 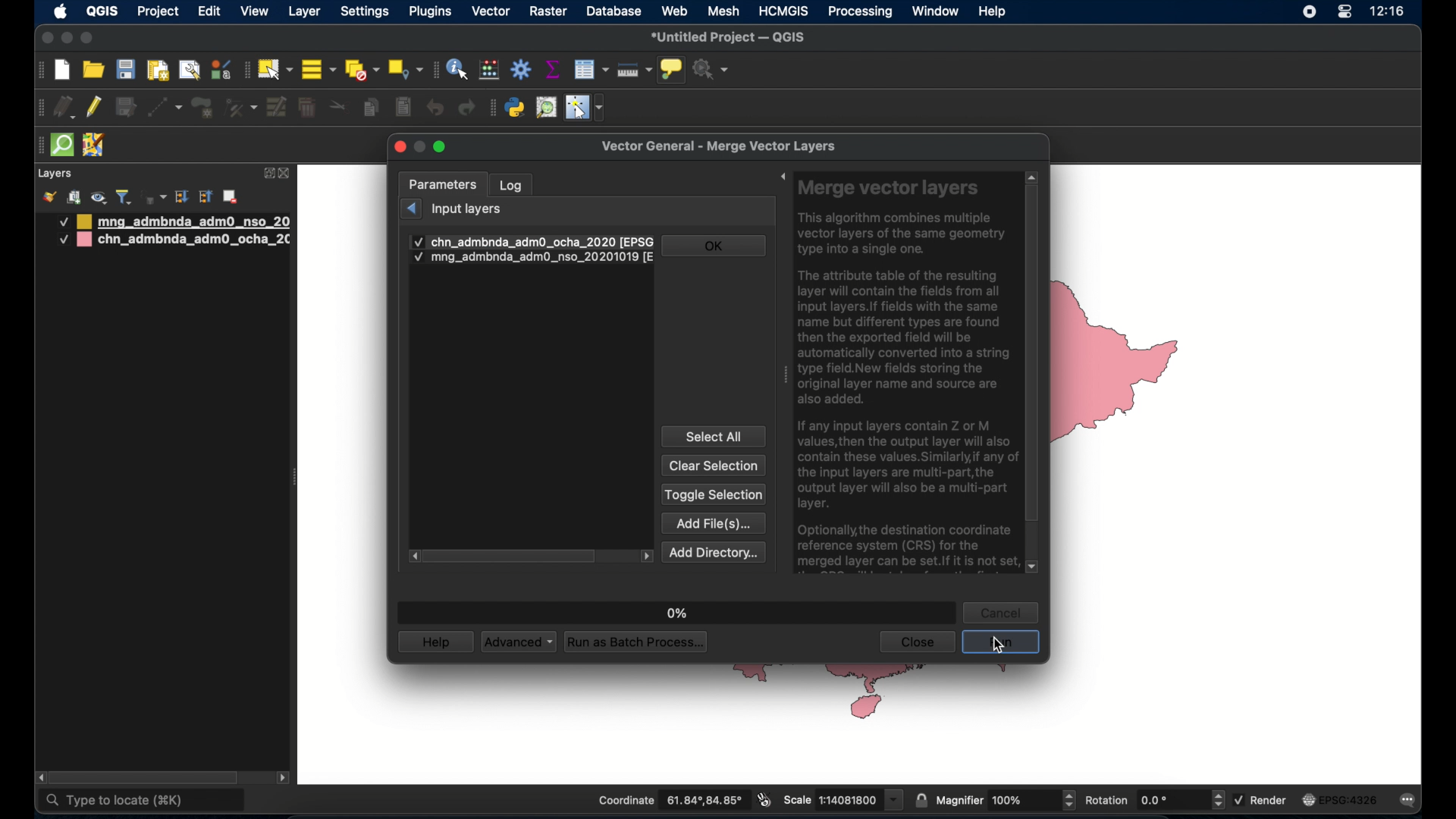 What do you see at coordinates (466, 108) in the screenshot?
I see `redo` at bounding box center [466, 108].